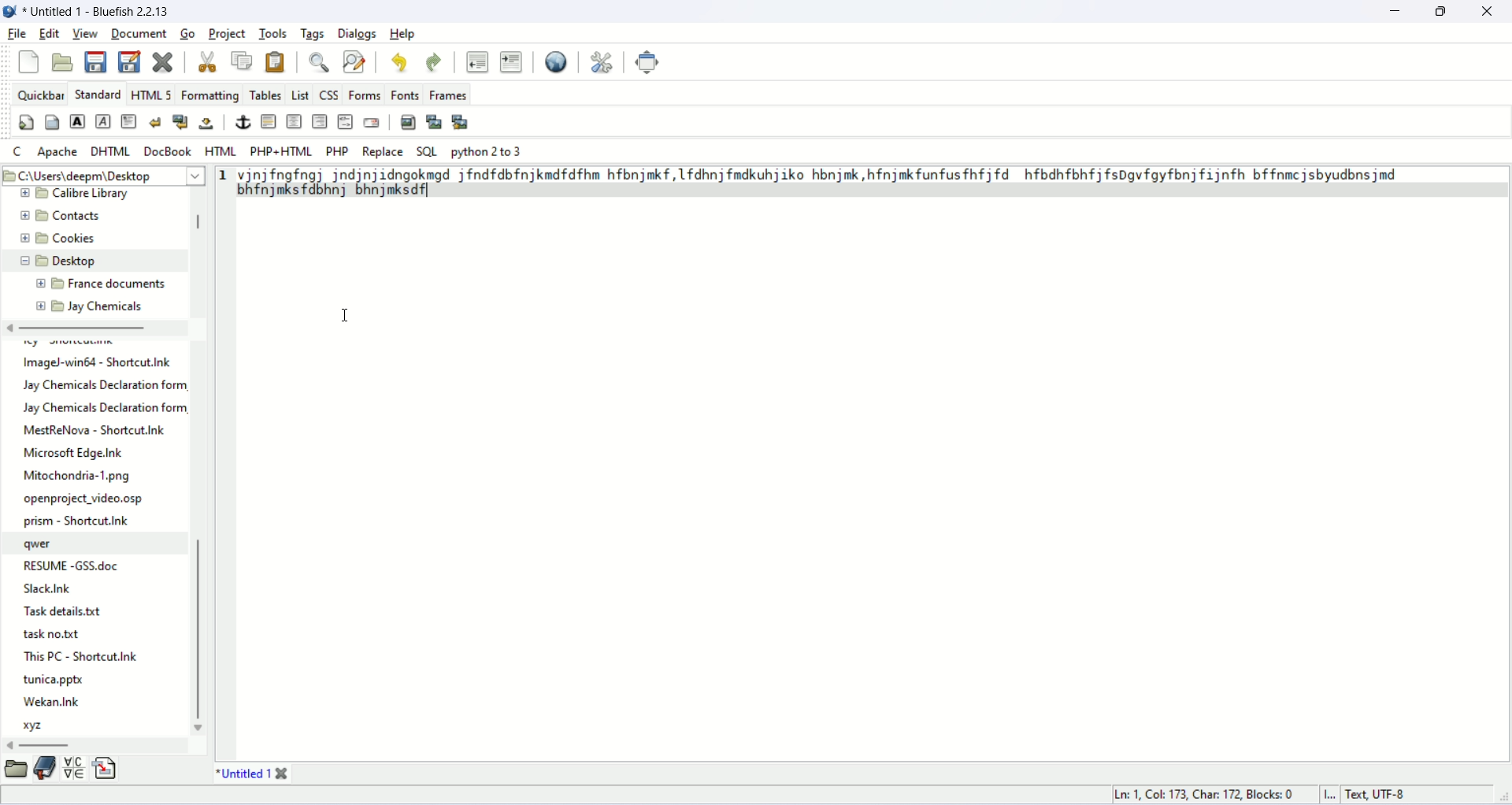  Describe the element at coordinates (50, 701) in the screenshot. I see `‘Wekan.Ink` at that location.